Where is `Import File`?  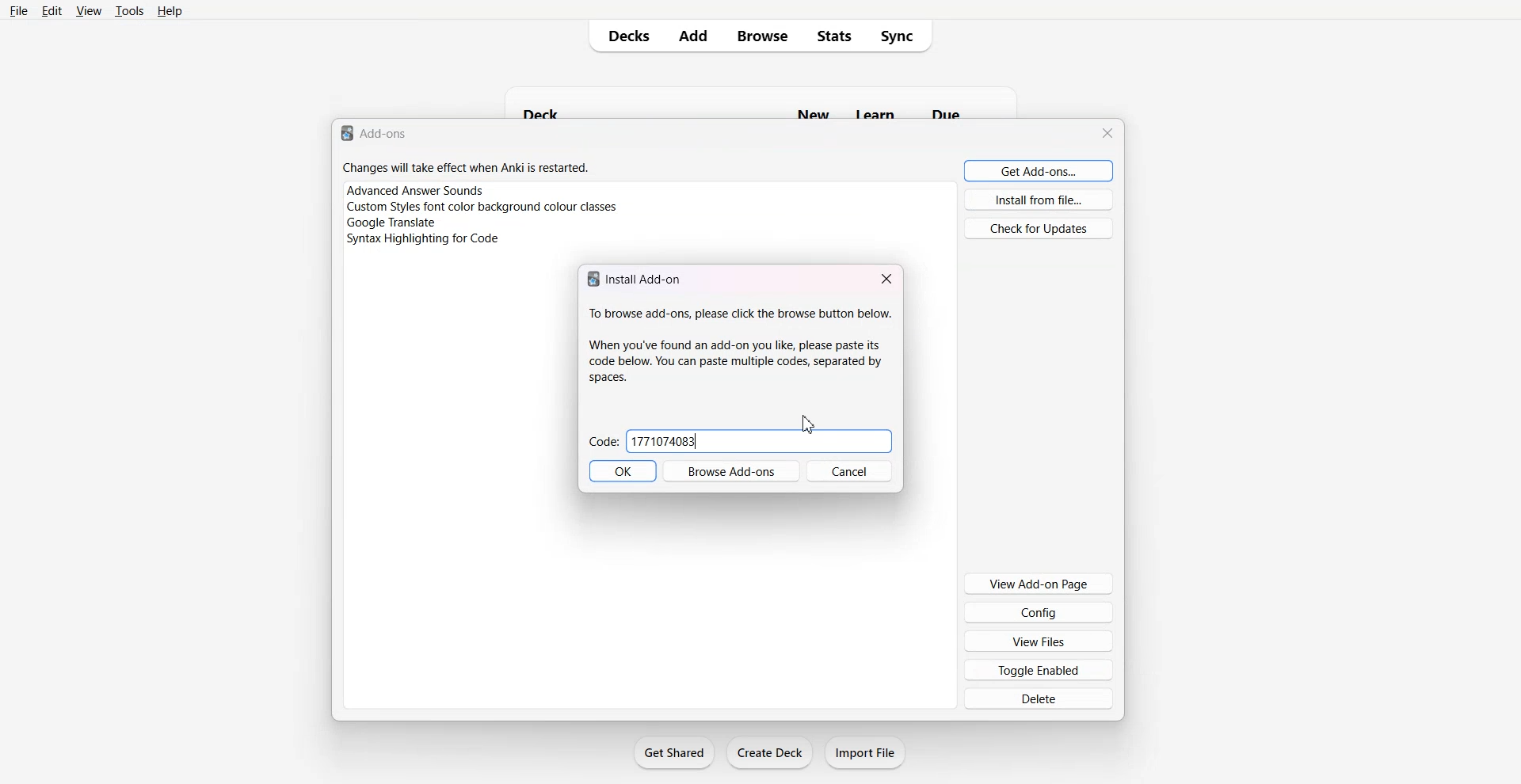 Import File is located at coordinates (867, 752).